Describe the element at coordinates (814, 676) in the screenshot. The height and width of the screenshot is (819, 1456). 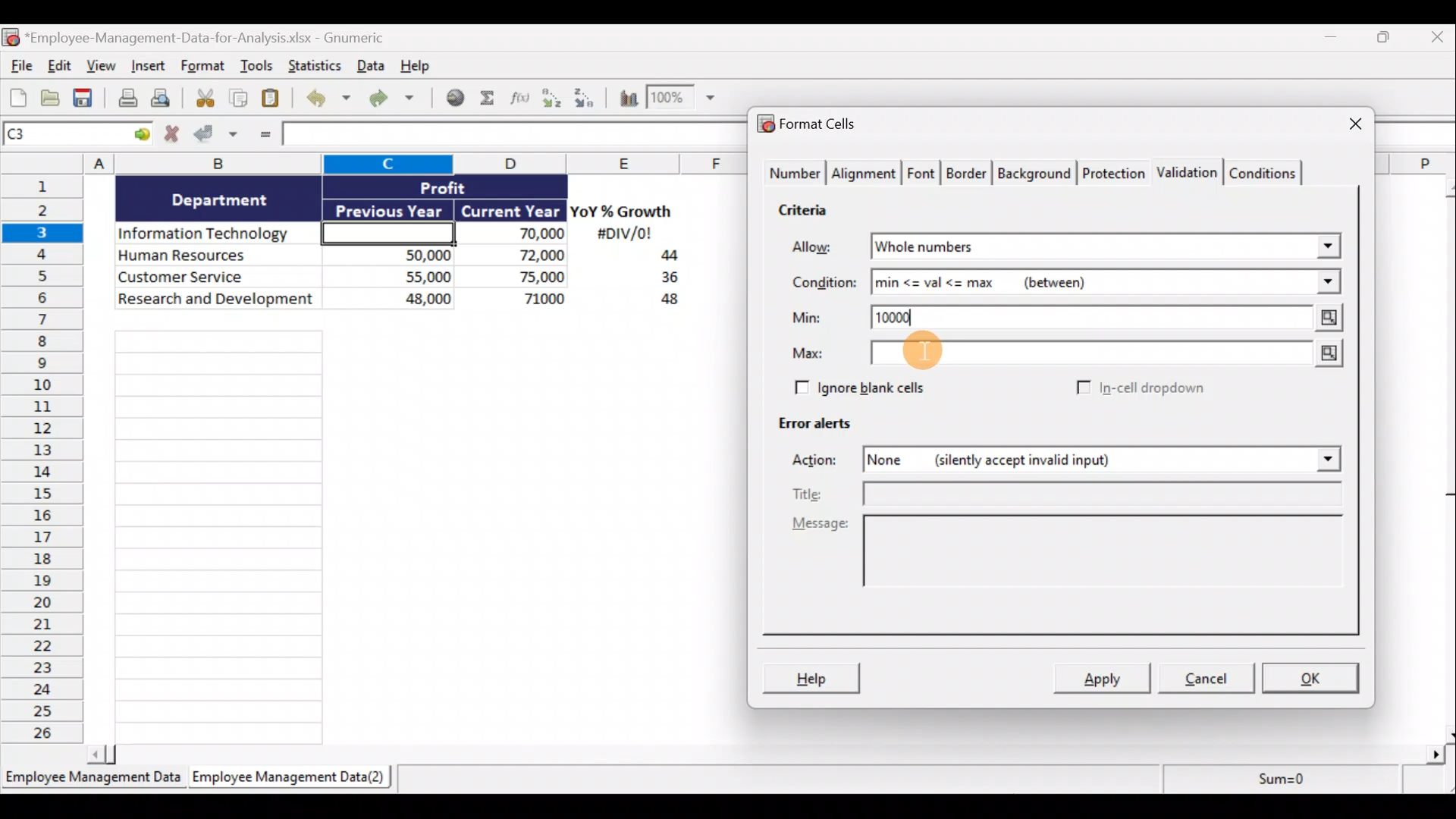
I see `Help` at that location.